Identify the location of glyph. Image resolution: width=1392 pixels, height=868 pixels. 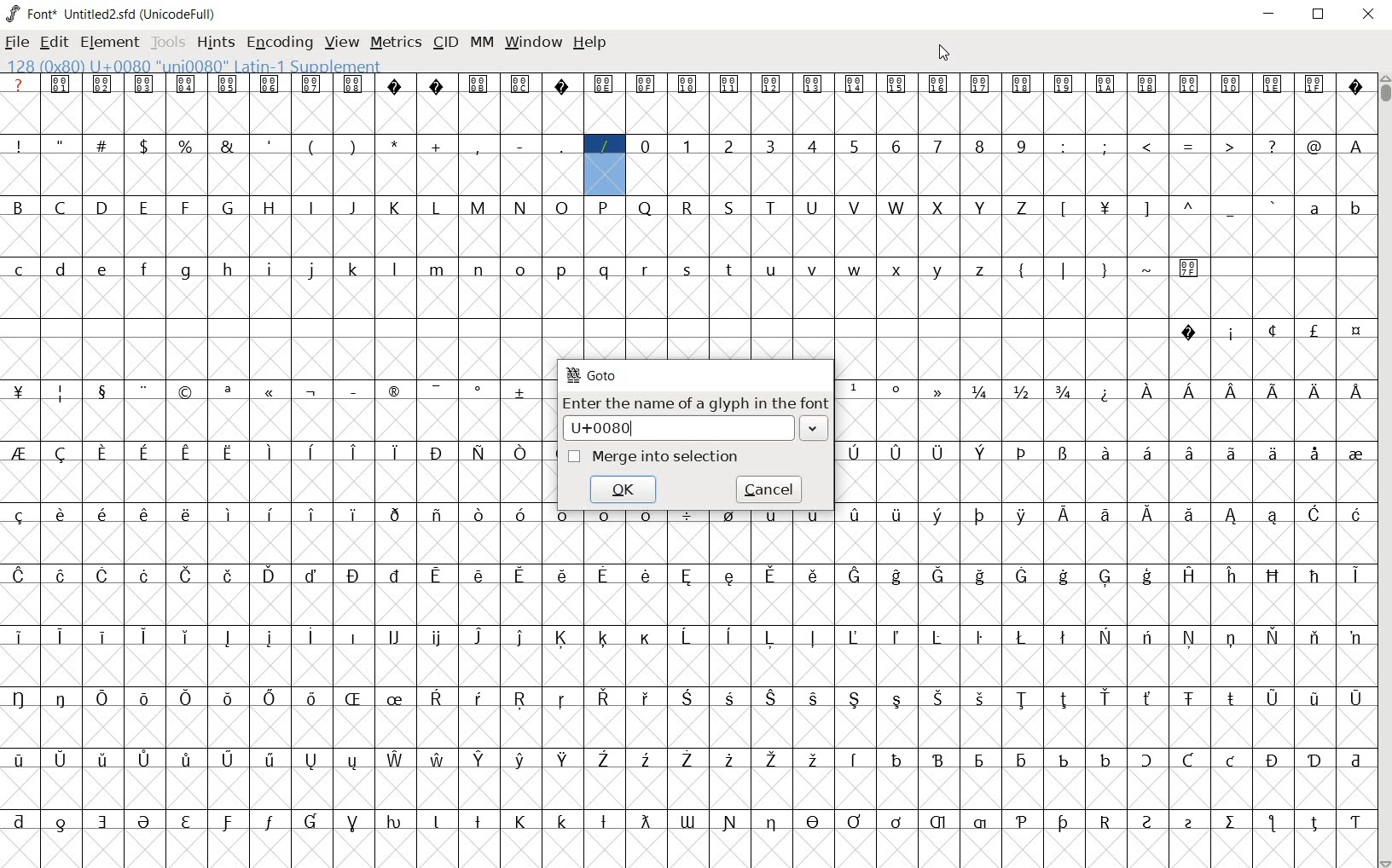
(1314, 701).